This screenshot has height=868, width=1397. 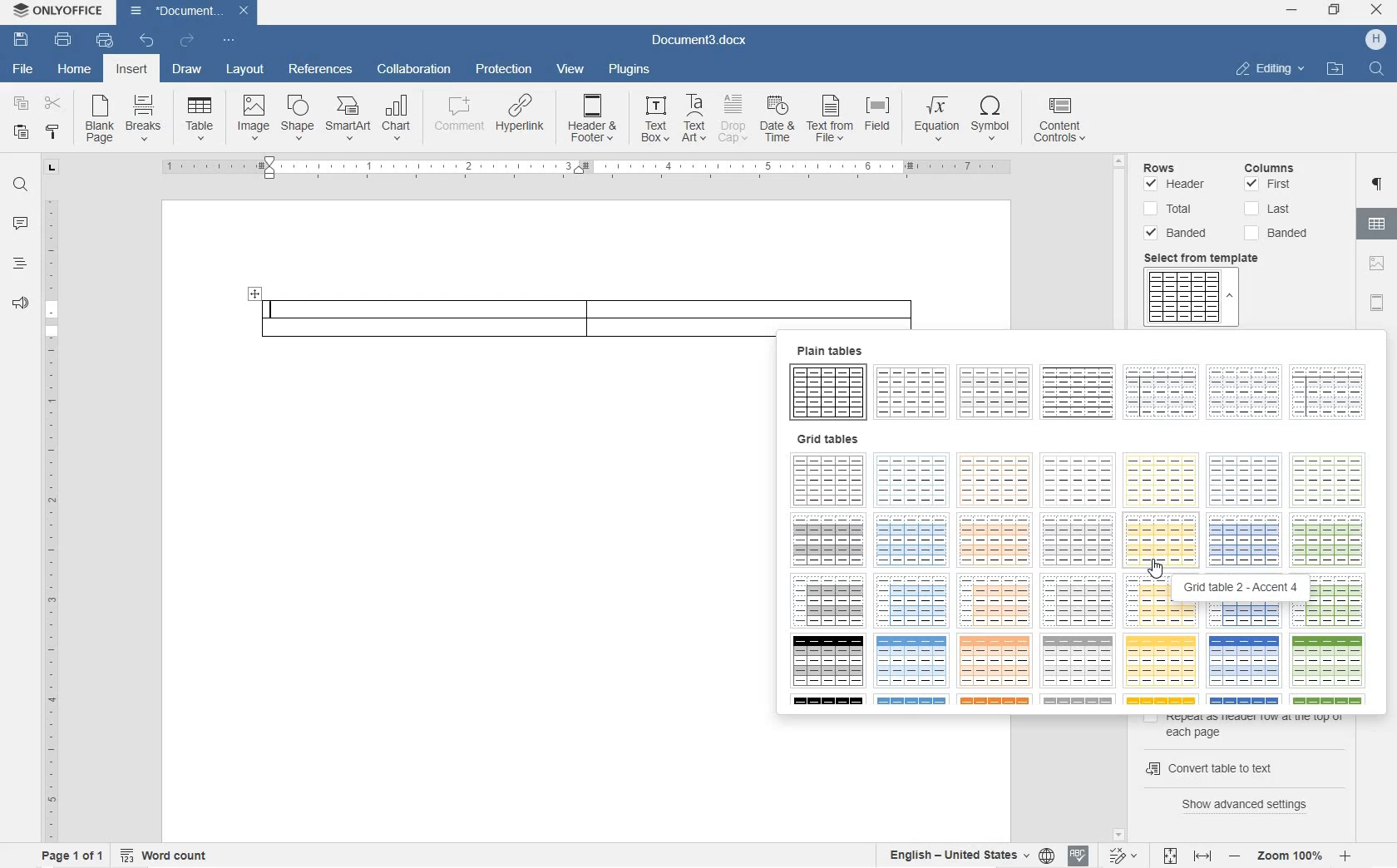 I want to click on REFERENCES, so click(x=320, y=71).